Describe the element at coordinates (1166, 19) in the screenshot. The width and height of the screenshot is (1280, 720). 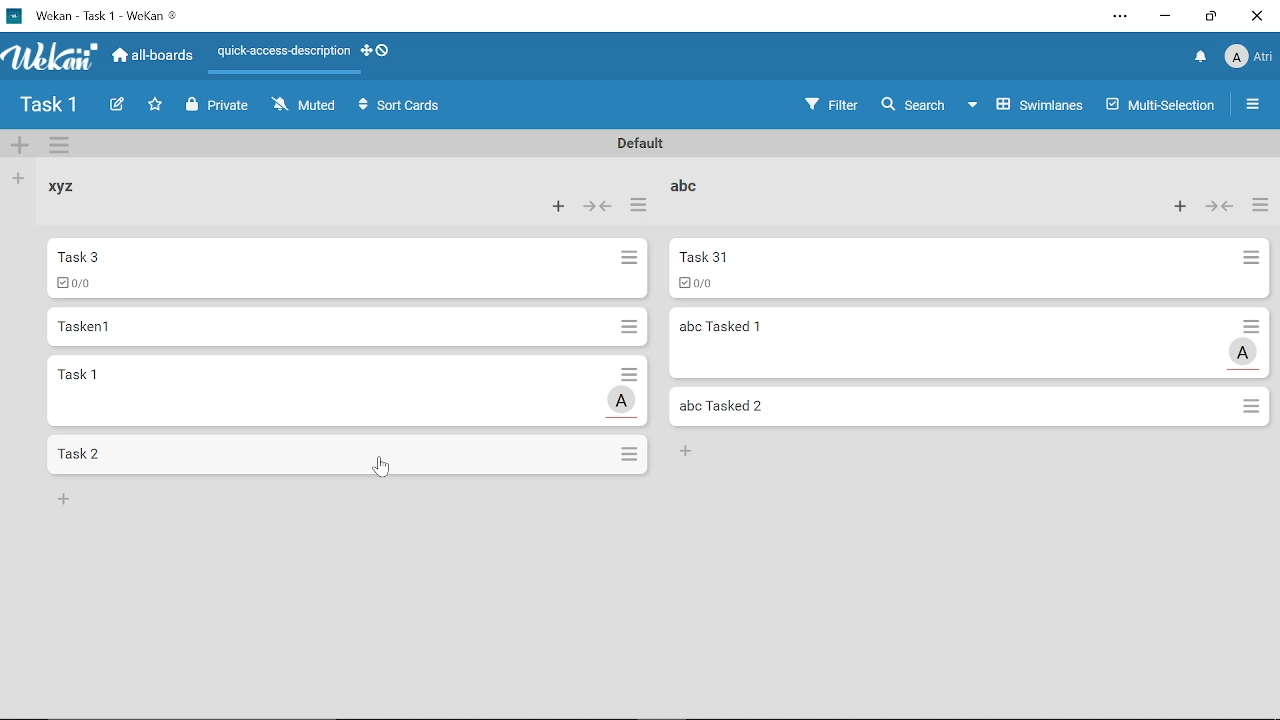
I see `Minimize` at that location.